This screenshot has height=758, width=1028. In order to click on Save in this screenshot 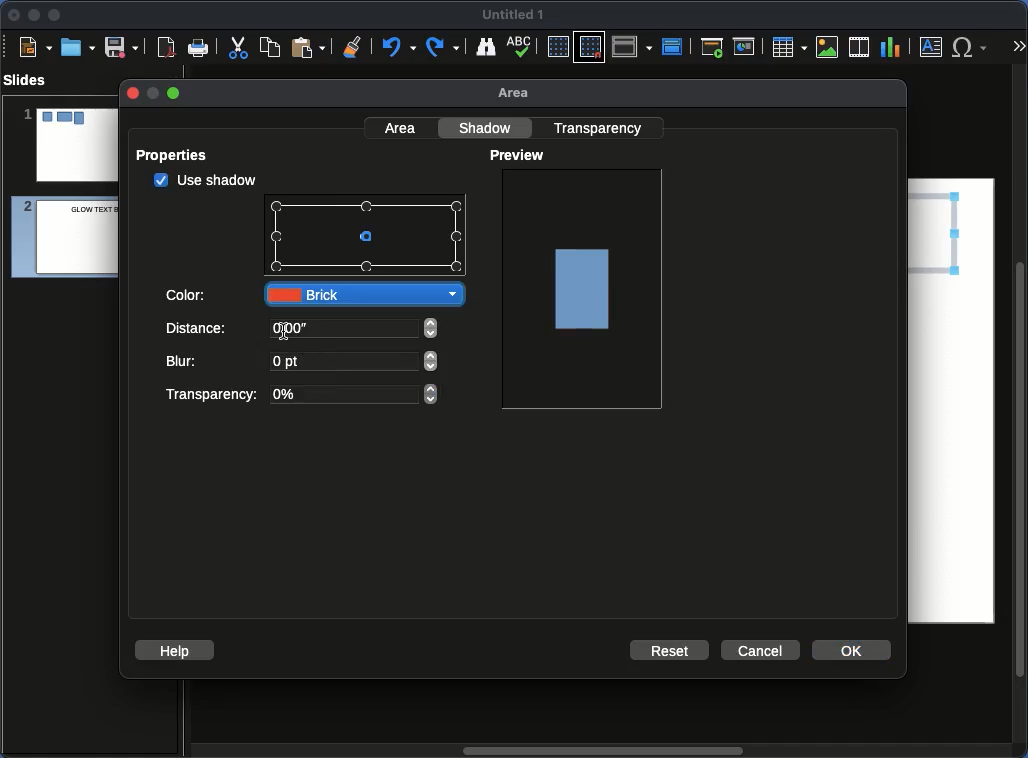, I will do `click(123, 46)`.